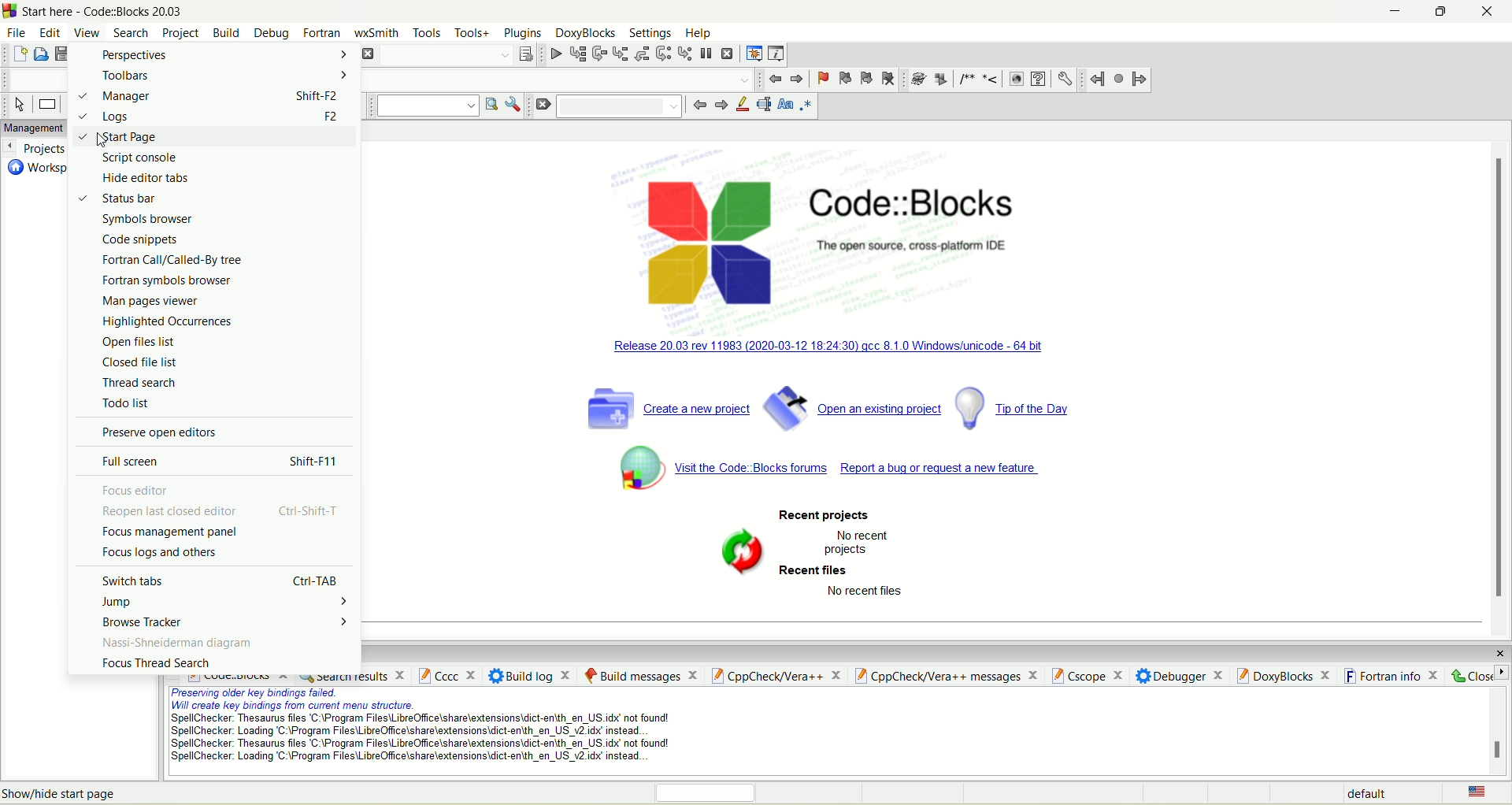  What do you see at coordinates (11, 11) in the screenshot?
I see `logo` at bounding box center [11, 11].